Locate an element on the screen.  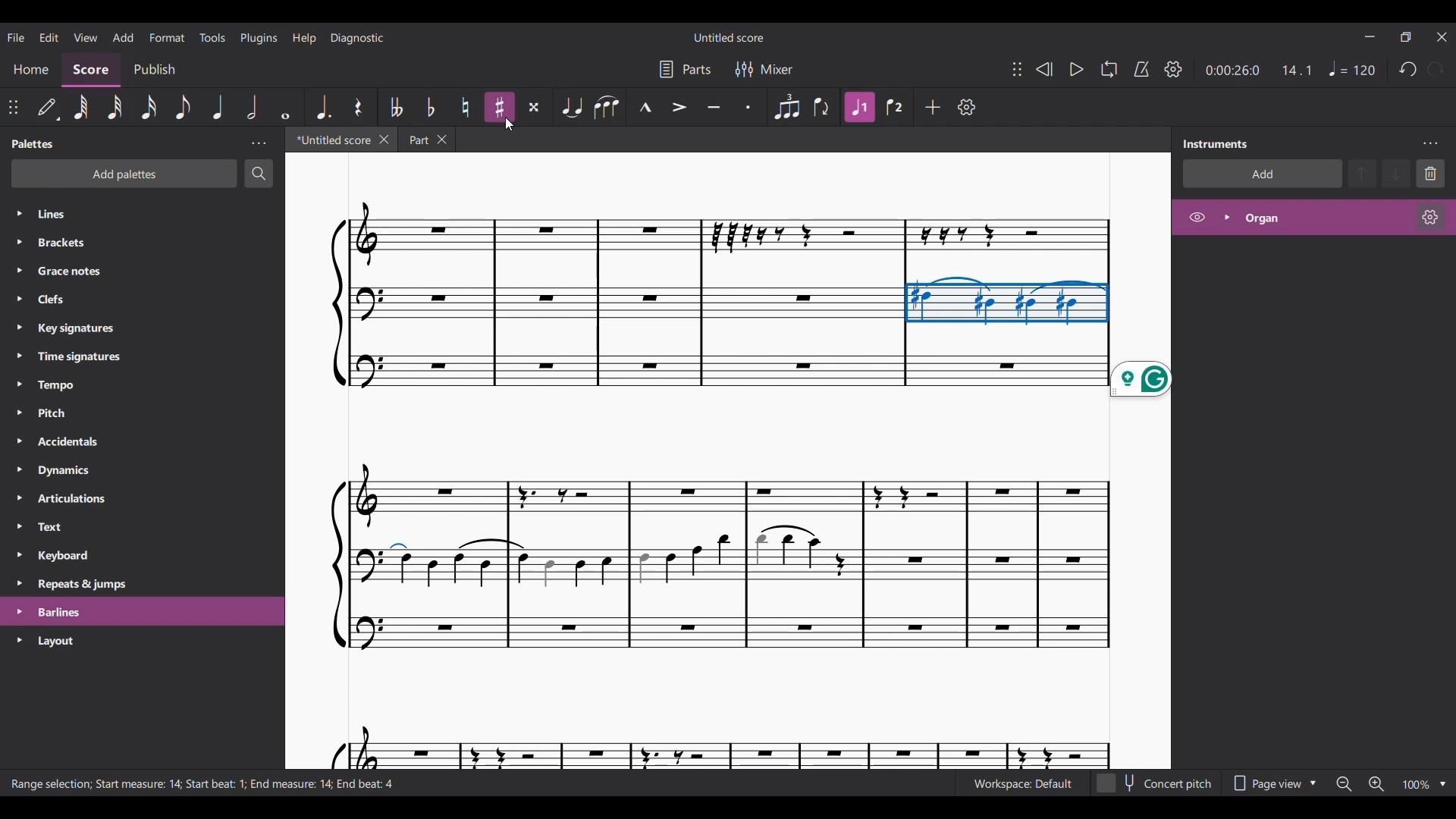
Help menu is located at coordinates (304, 38).